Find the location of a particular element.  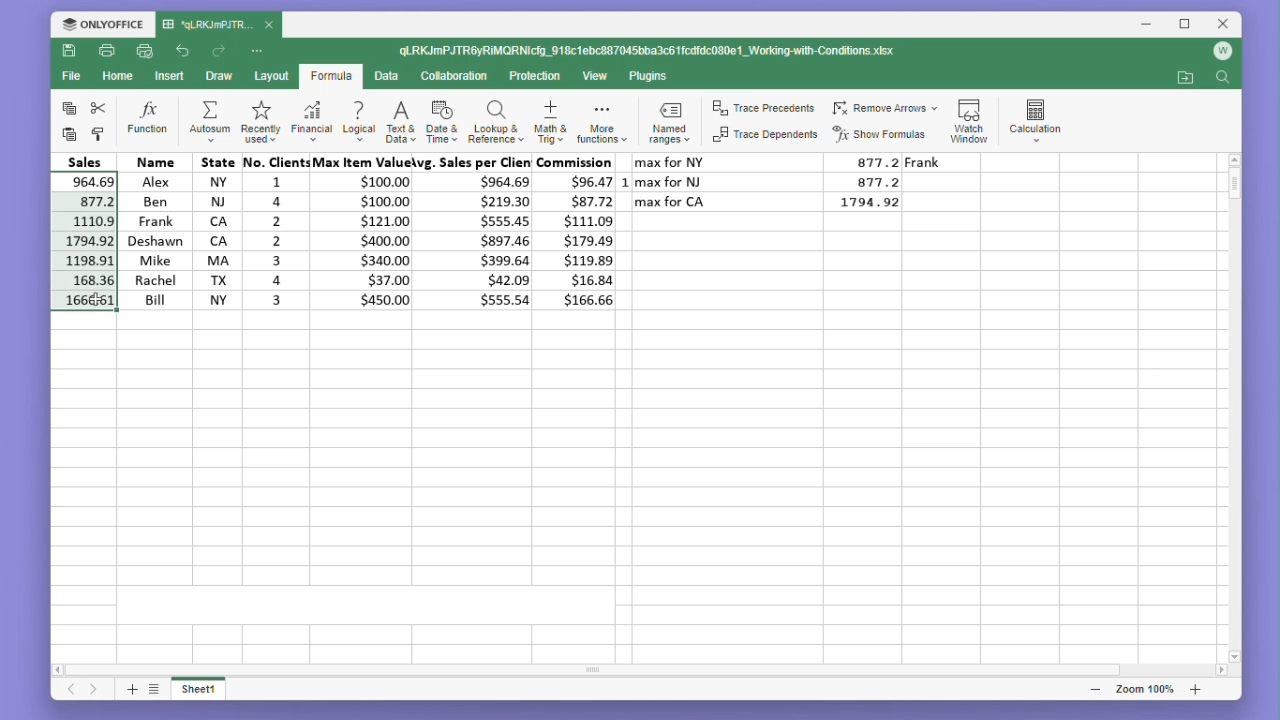

Print file is located at coordinates (106, 50).